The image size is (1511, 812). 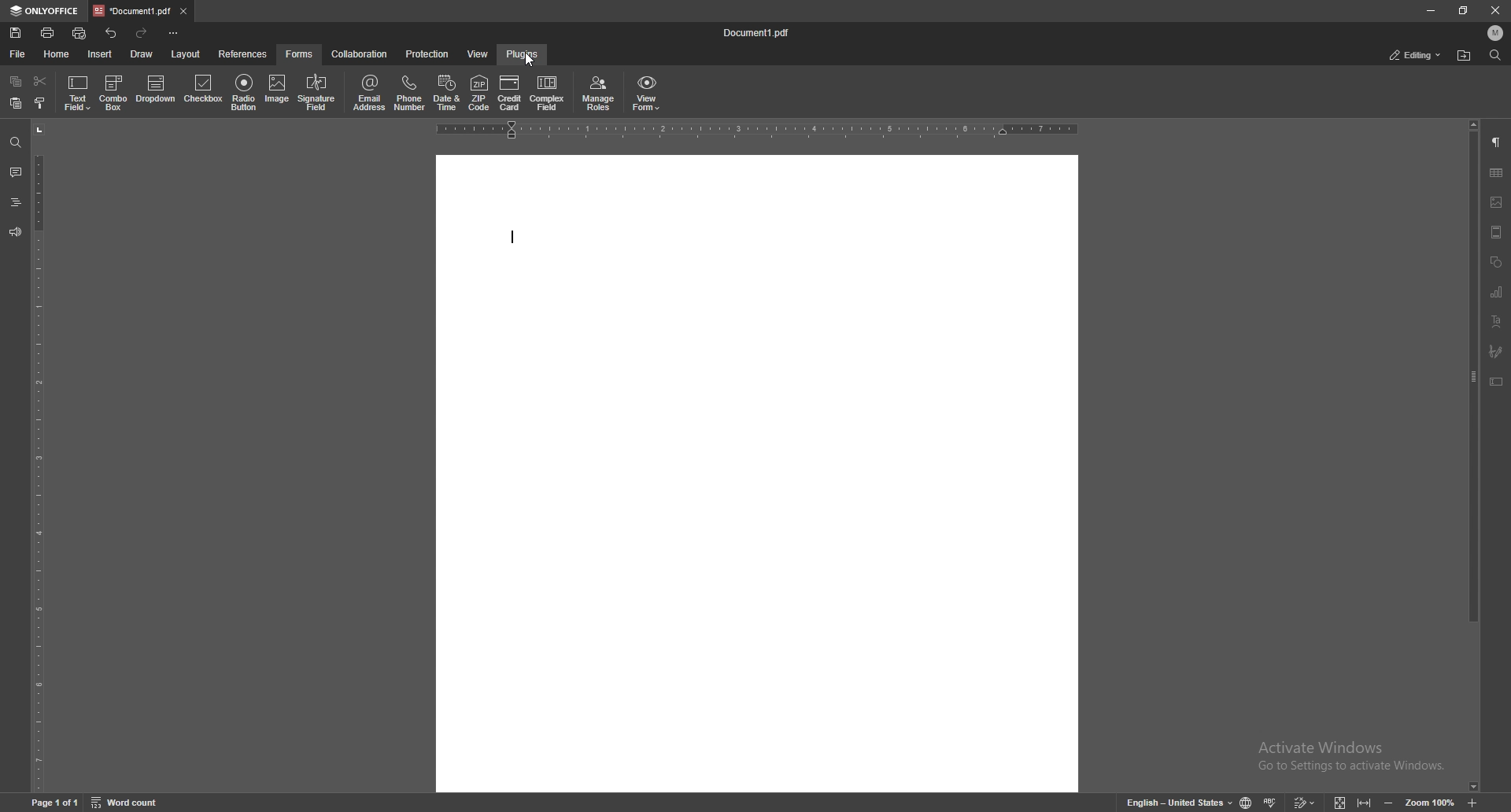 I want to click on phone number, so click(x=410, y=94).